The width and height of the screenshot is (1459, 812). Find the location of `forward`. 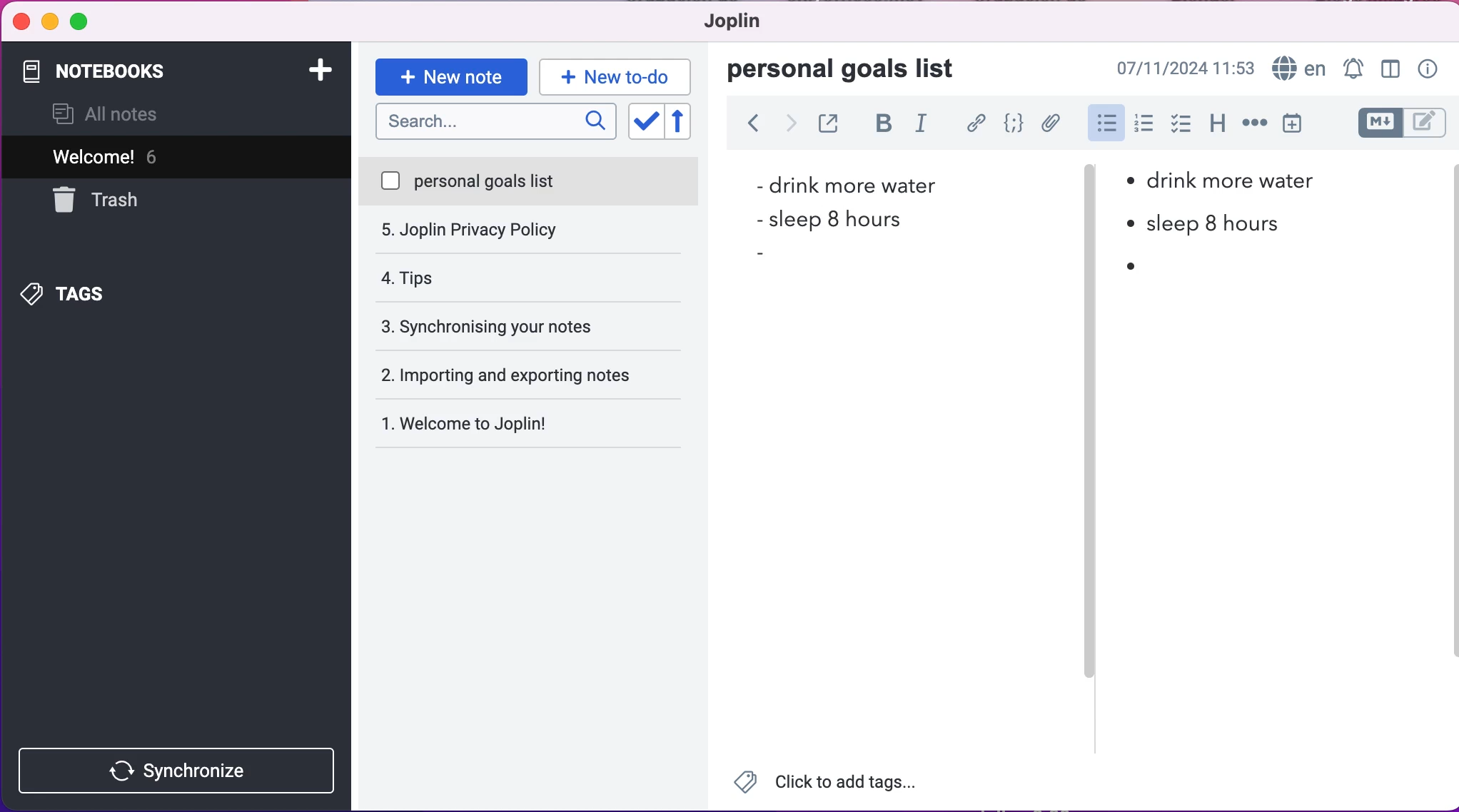

forward is located at coordinates (792, 126).